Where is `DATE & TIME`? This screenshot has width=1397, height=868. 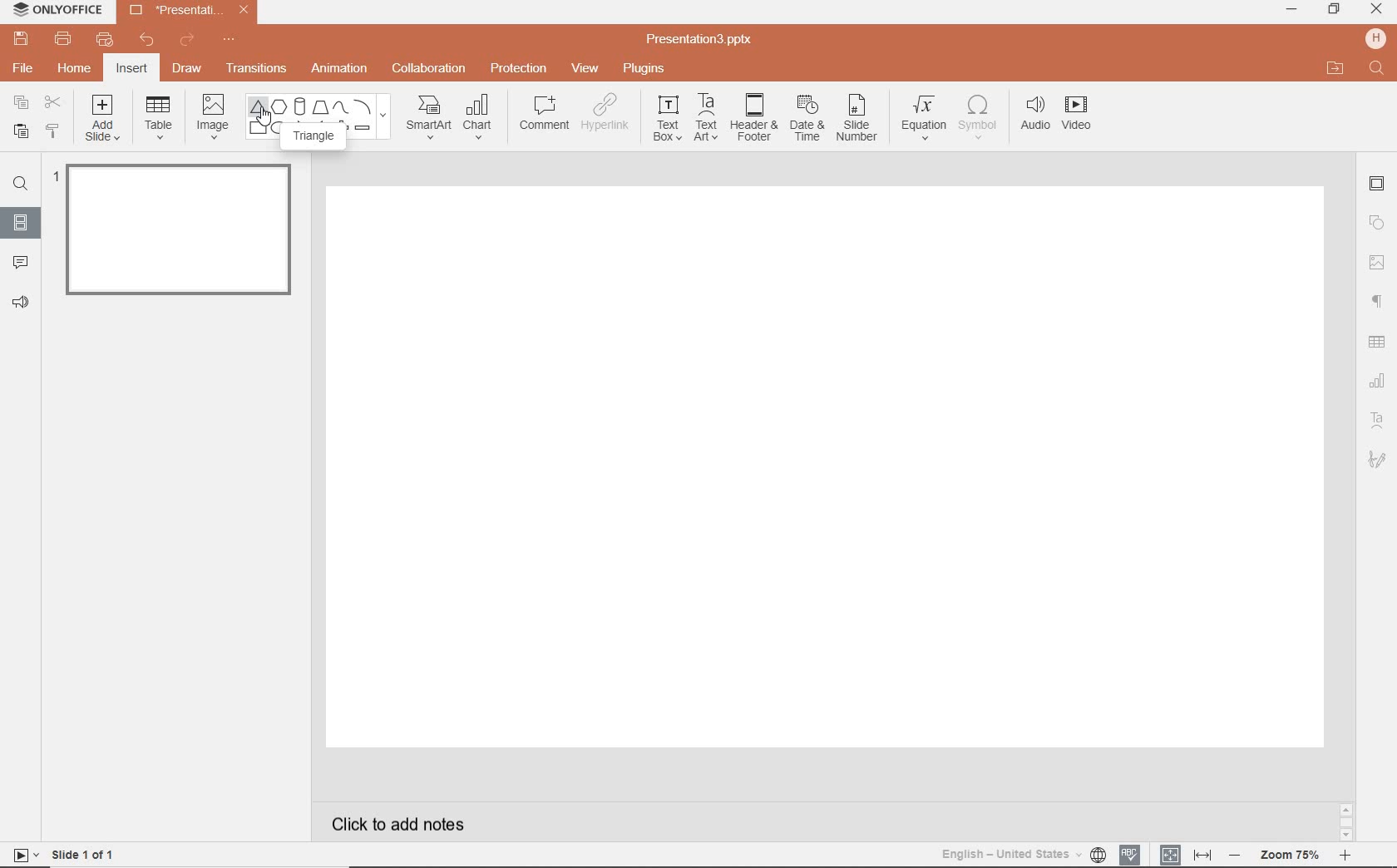
DATE & TIME is located at coordinates (807, 119).